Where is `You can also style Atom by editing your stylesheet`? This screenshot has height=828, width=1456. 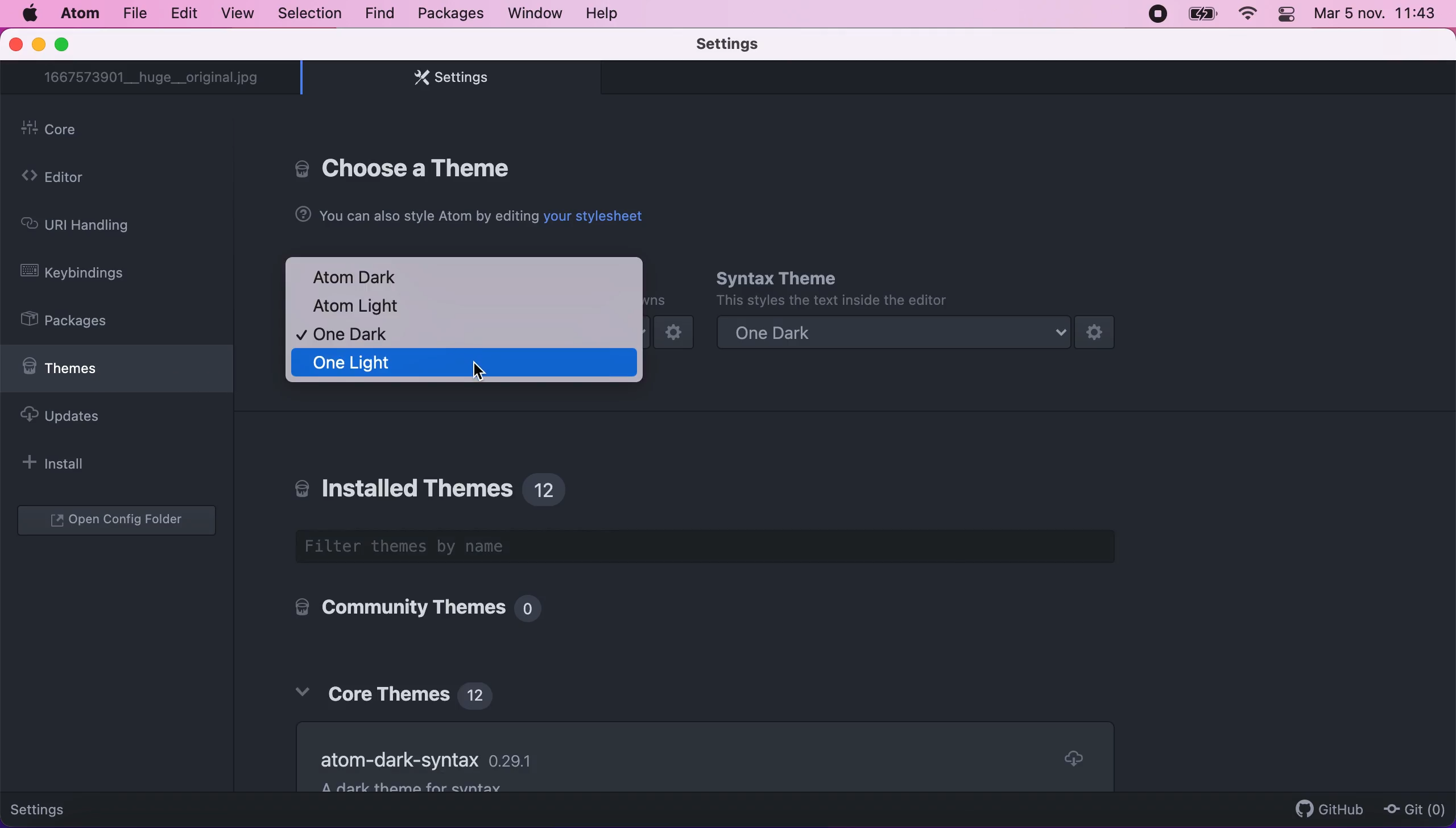 You can also style Atom by editing your stylesheet is located at coordinates (469, 216).